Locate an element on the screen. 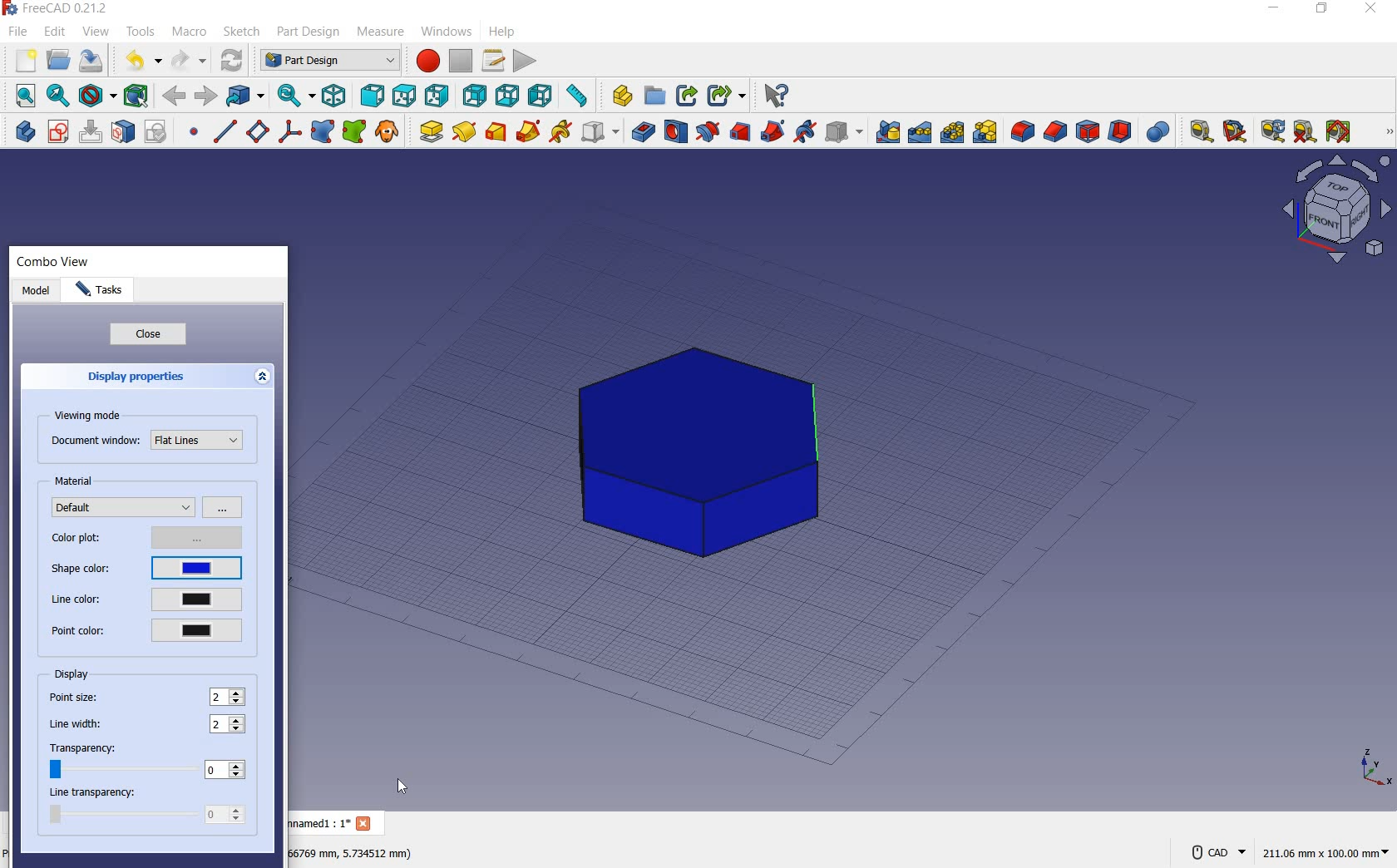 Image resolution: width=1397 pixels, height=868 pixels. x,y,z points is located at coordinates (1374, 773).